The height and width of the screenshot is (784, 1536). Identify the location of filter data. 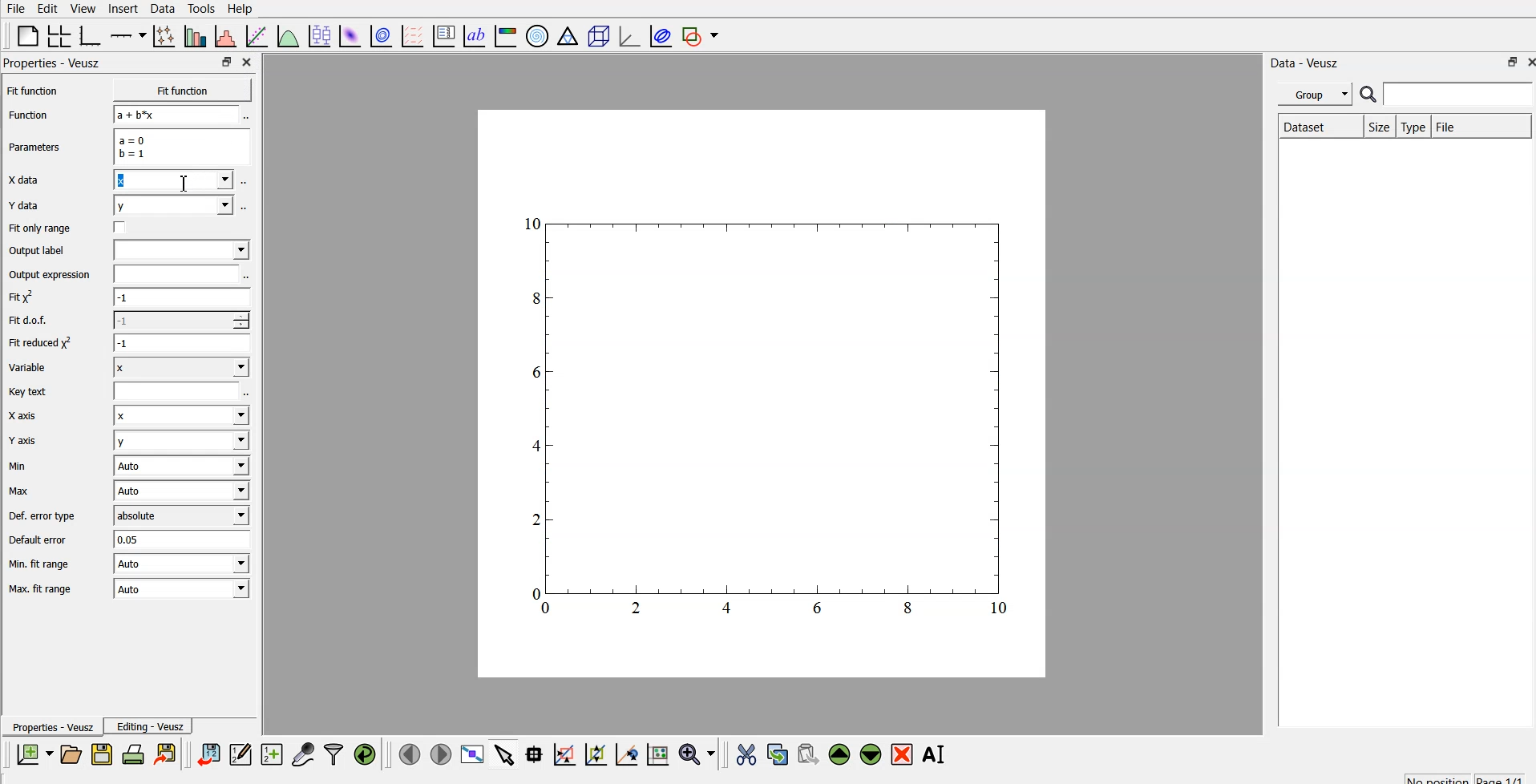
(335, 756).